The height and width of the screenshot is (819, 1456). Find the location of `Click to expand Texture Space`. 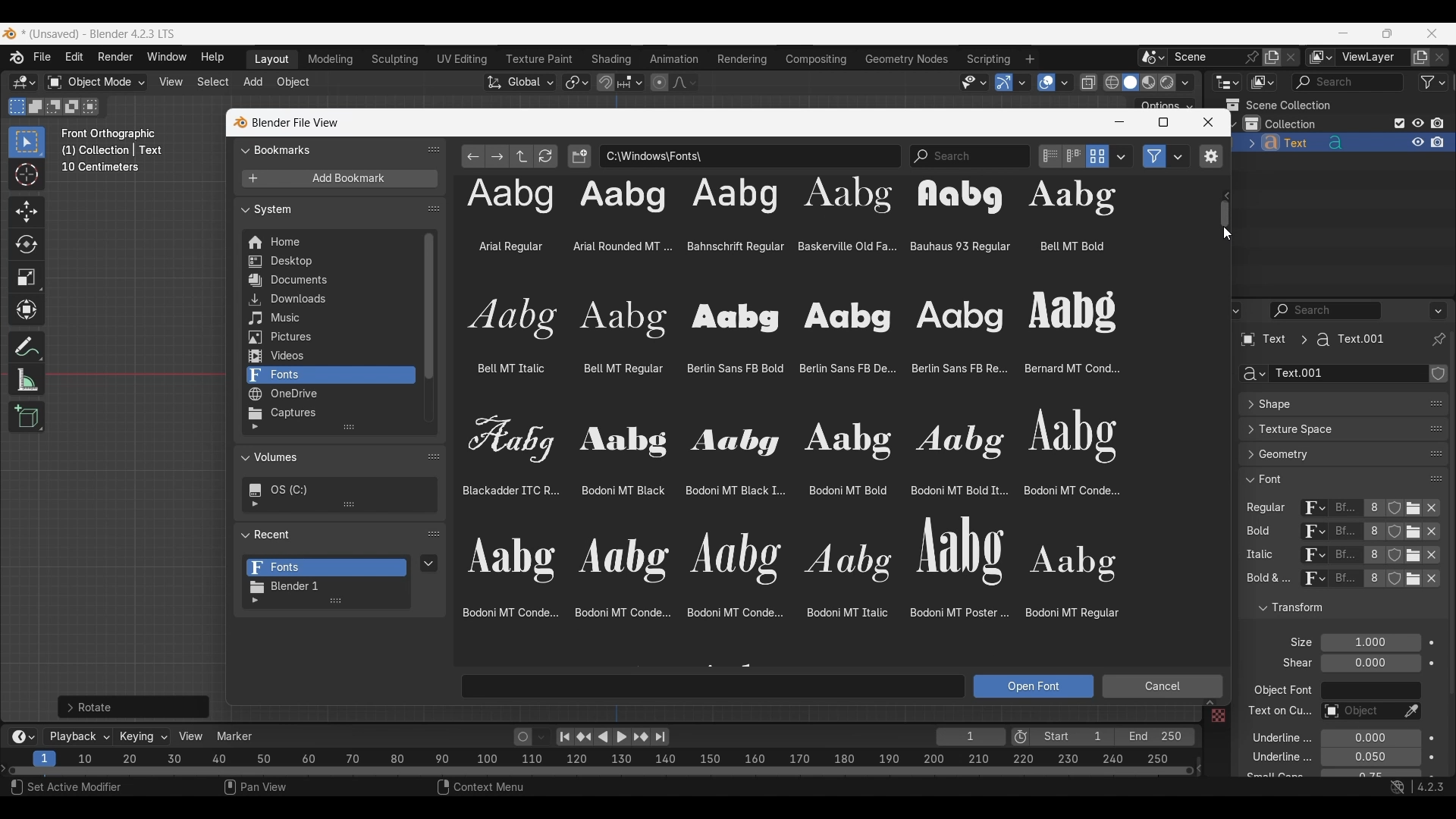

Click to expand Texture Space is located at coordinates (1328, 429).